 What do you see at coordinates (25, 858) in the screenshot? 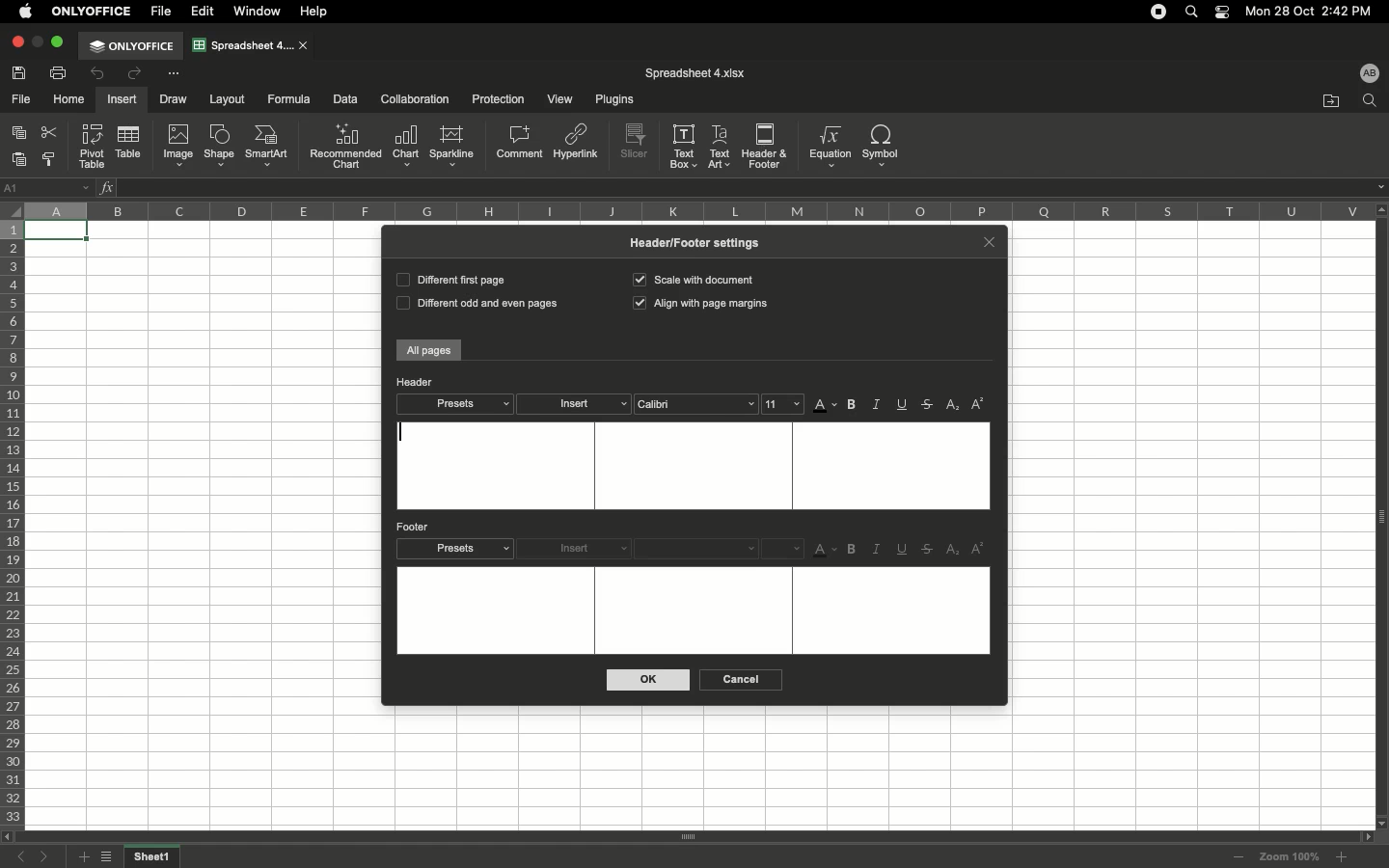
I see `Previous sheet` at bounding box center [25, 858].